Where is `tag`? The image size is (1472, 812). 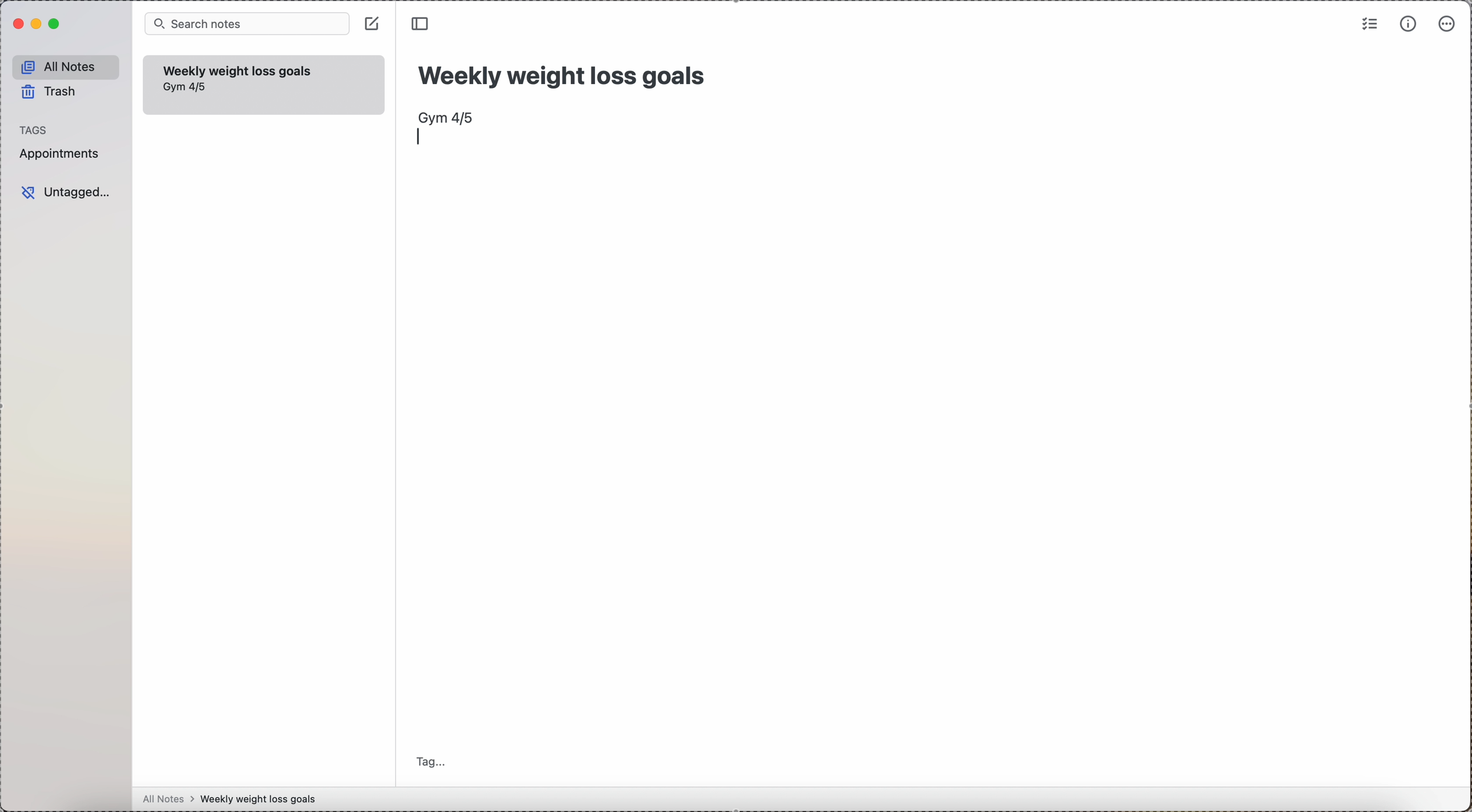 tag is located at coordinates (435, 760).